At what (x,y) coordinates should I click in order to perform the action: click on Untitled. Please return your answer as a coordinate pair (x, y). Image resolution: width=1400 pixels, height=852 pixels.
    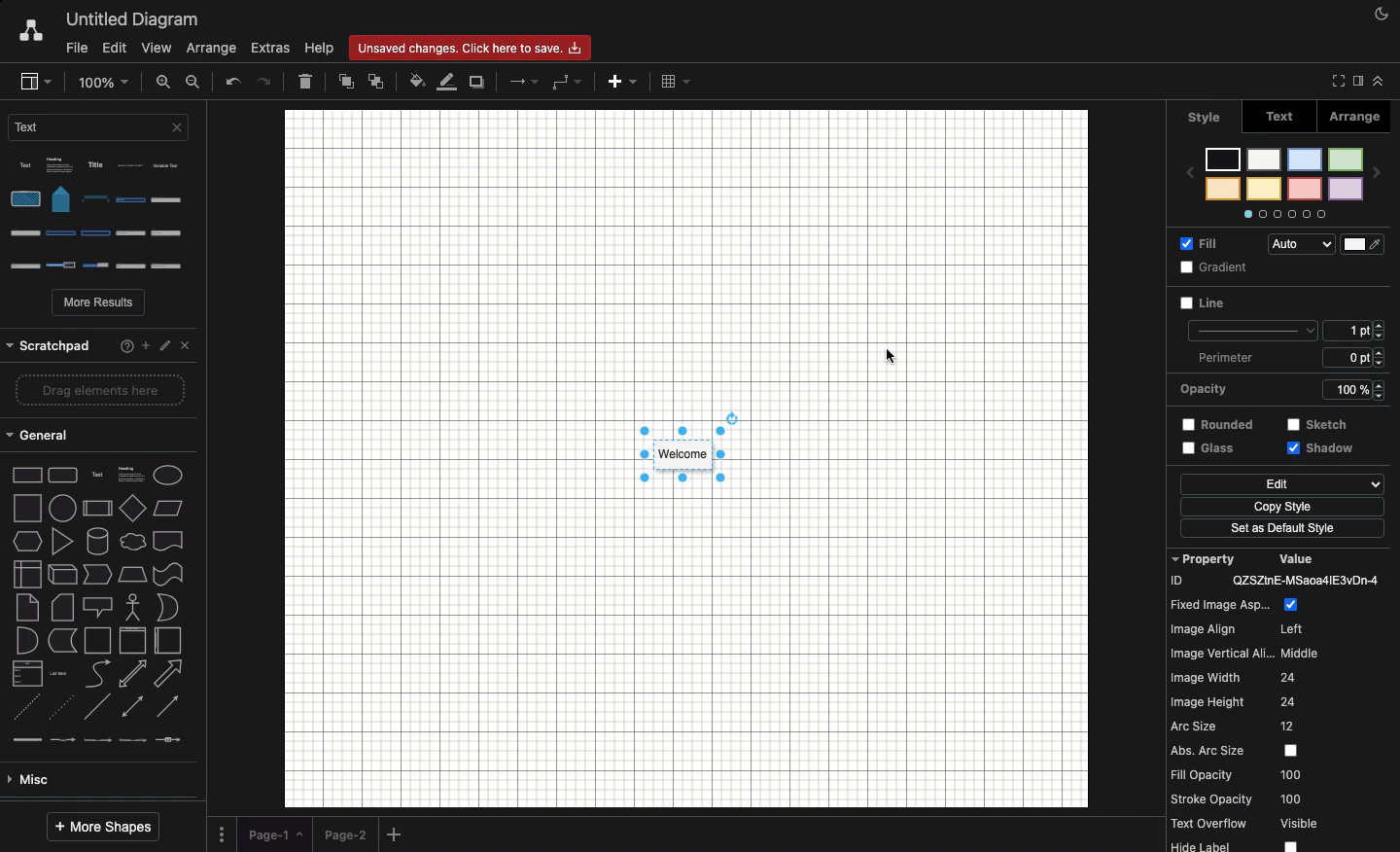
    Looking at the image, I should click on (133, 20).